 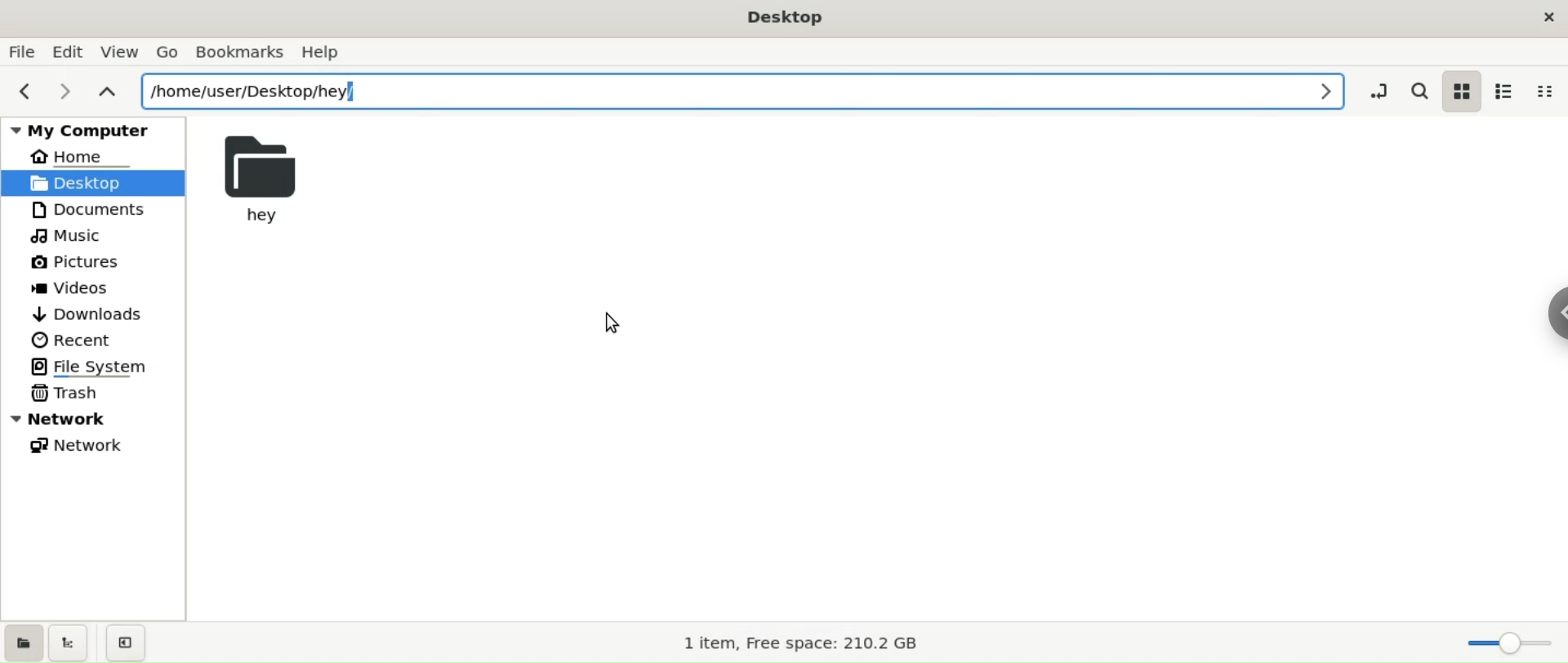 What do you see at coordinates (82, 448) in the screenshot?
I see `network` at bounding box center [82, 448].